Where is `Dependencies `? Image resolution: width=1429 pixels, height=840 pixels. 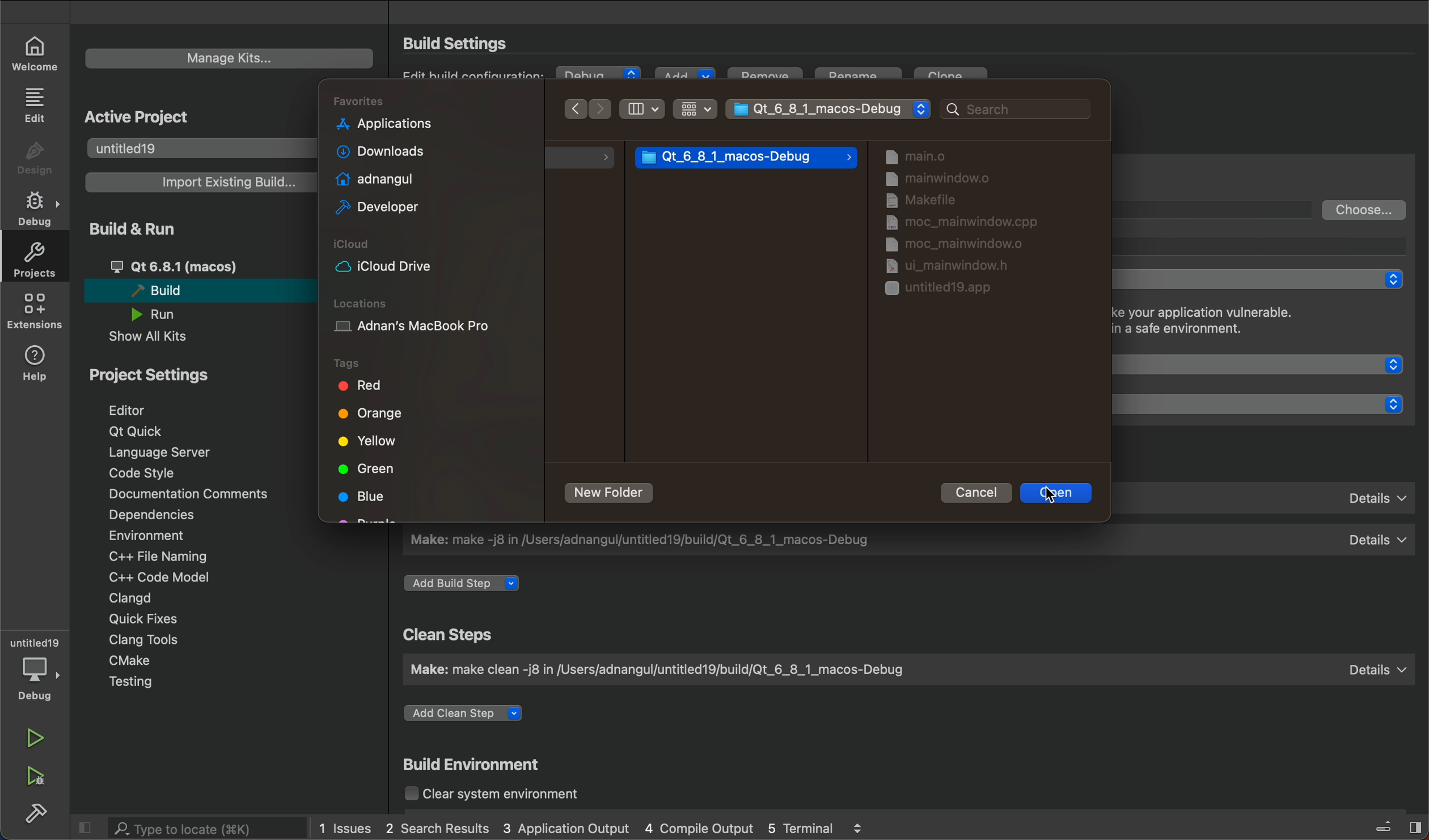 Dependencies  is located at coordinates (164, 516).